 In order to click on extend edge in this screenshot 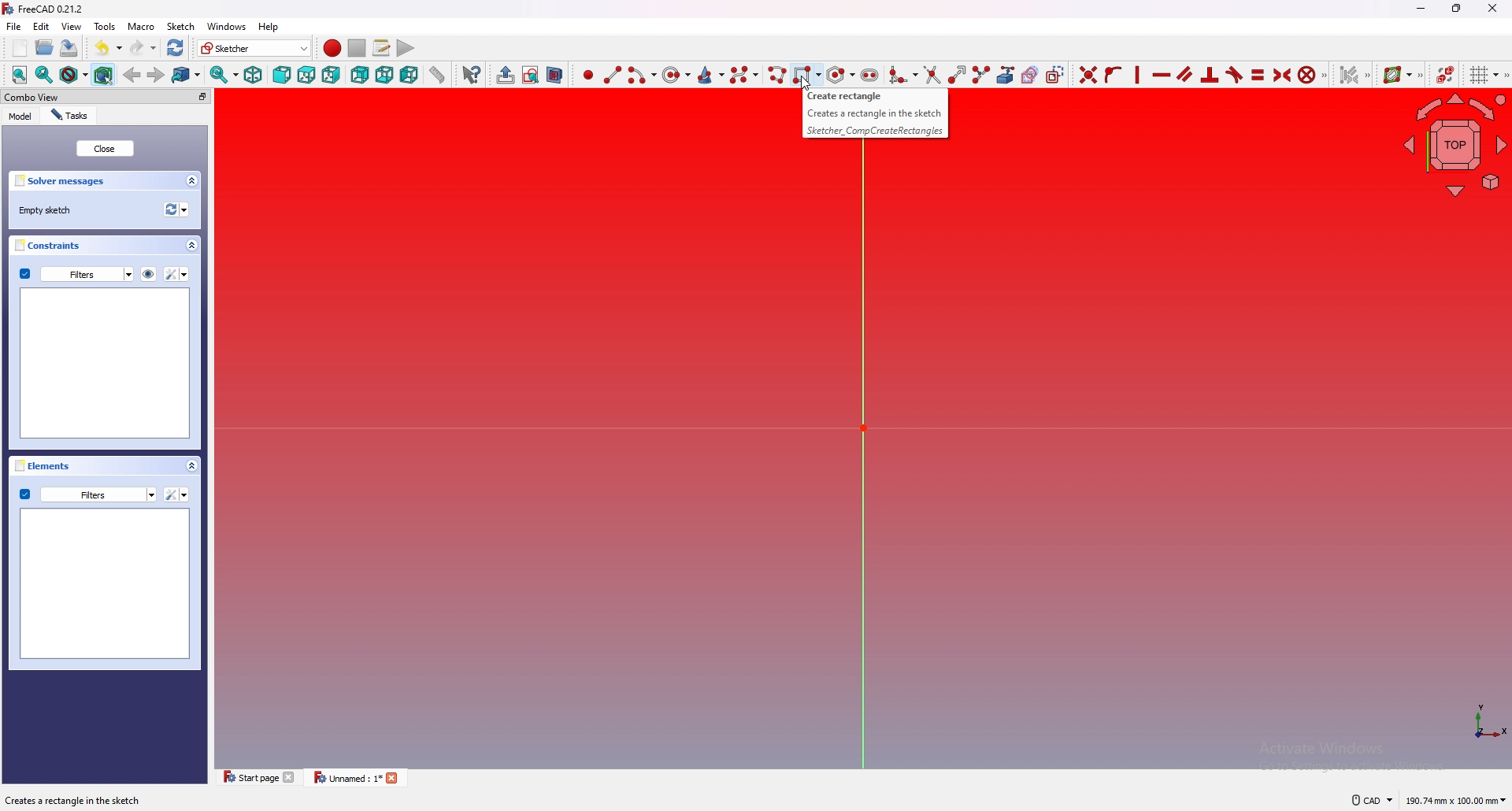, I will do `click(958, 75)`.